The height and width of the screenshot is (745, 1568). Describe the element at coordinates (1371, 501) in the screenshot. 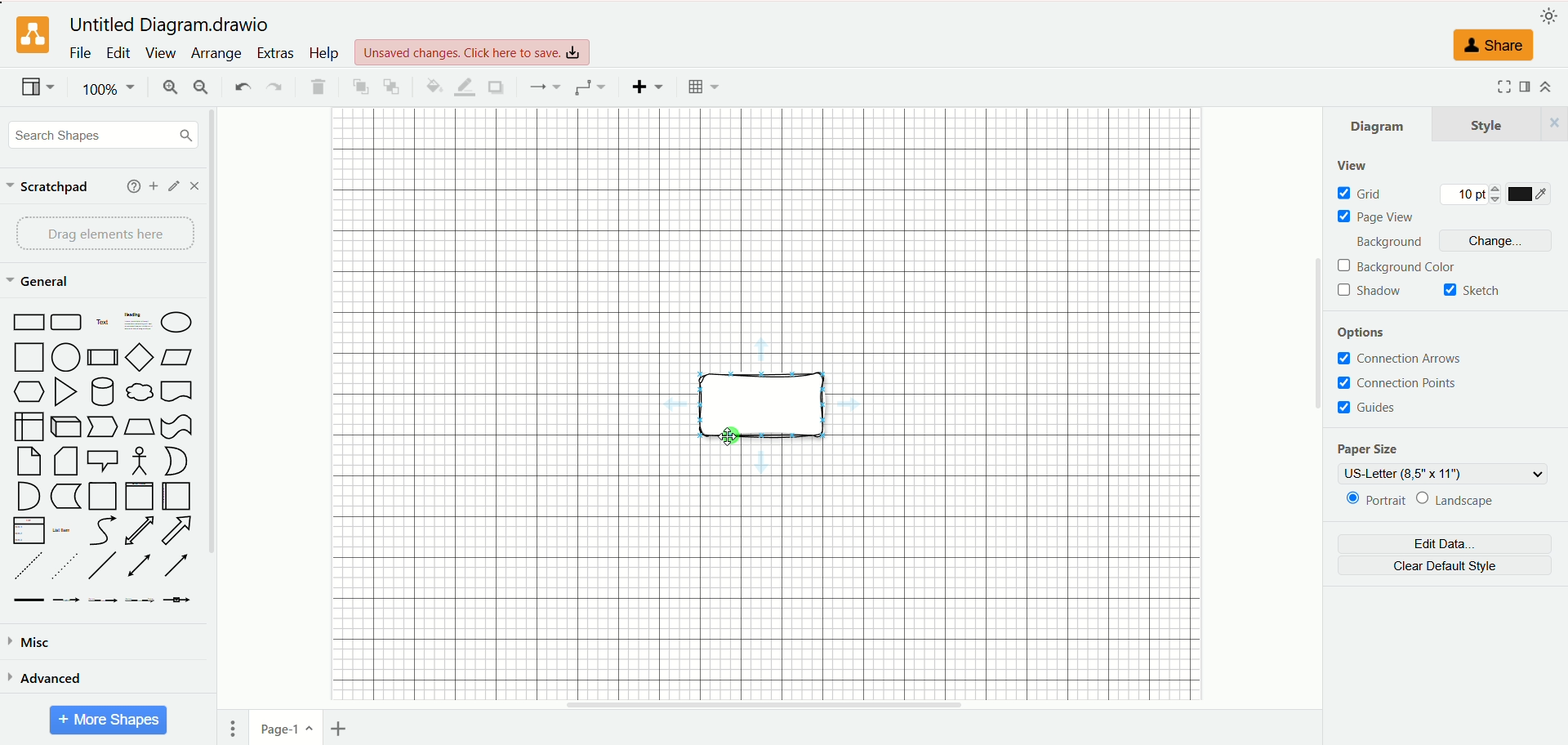

I see `portrait` at that location.